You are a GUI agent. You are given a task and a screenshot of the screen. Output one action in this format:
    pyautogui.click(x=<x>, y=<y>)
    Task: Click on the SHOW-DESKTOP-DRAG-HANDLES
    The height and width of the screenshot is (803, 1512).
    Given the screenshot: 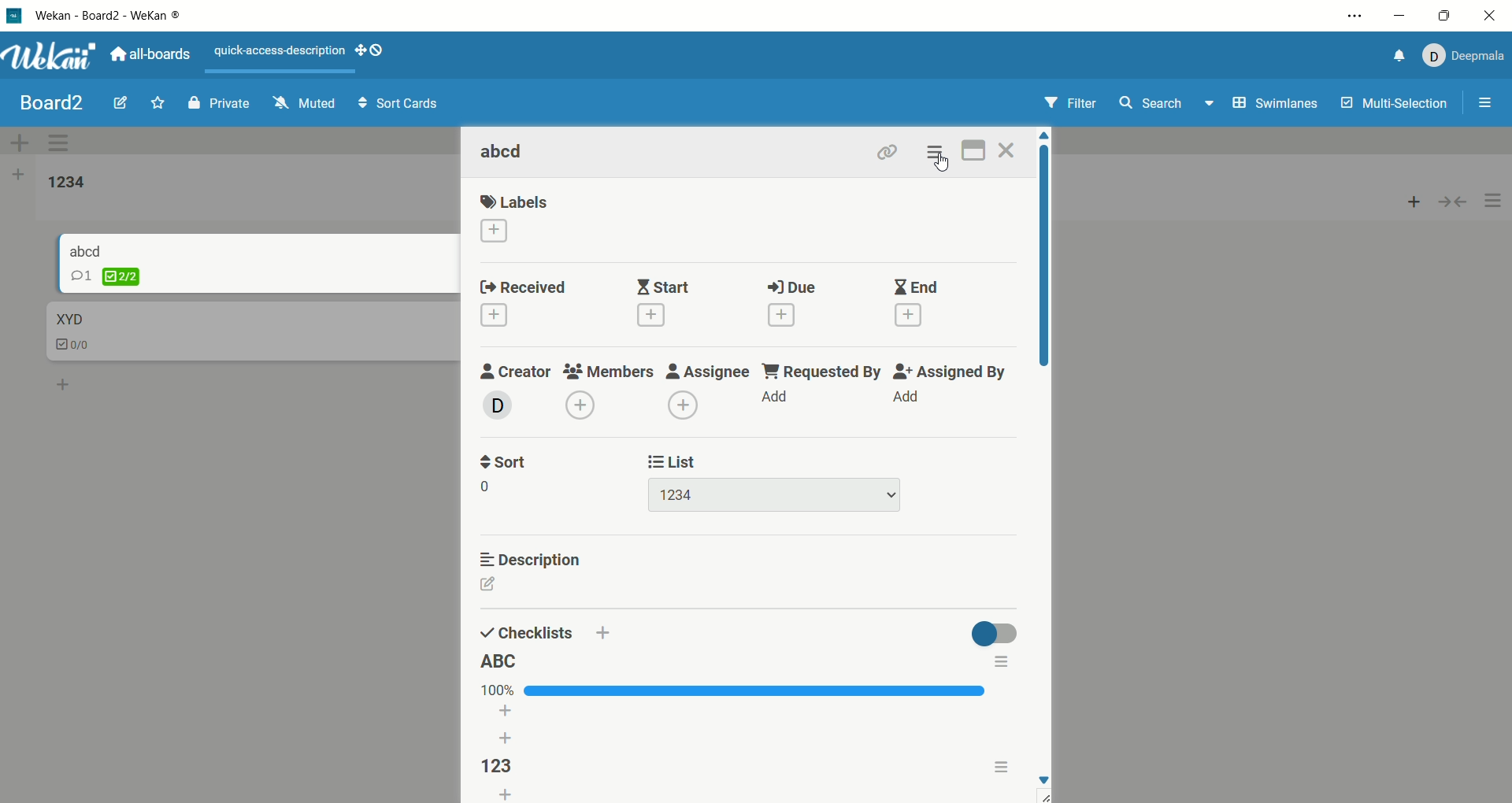 What is the action you would take?
    pyautogui.click(x=370, y=51)
    